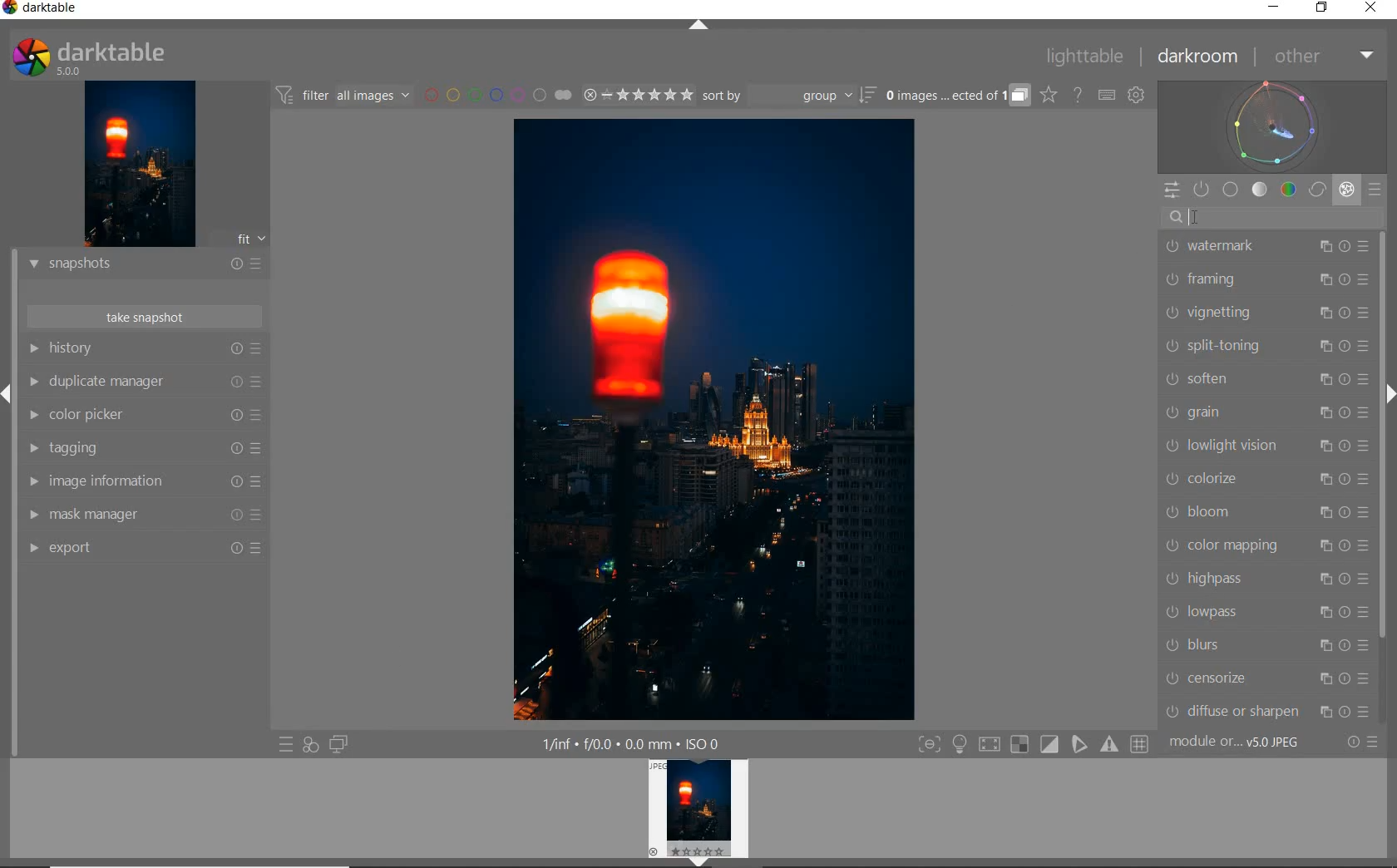 The image size is (1397, 868). I want to click on IMAGE PREVIEW, so click(701, 813).